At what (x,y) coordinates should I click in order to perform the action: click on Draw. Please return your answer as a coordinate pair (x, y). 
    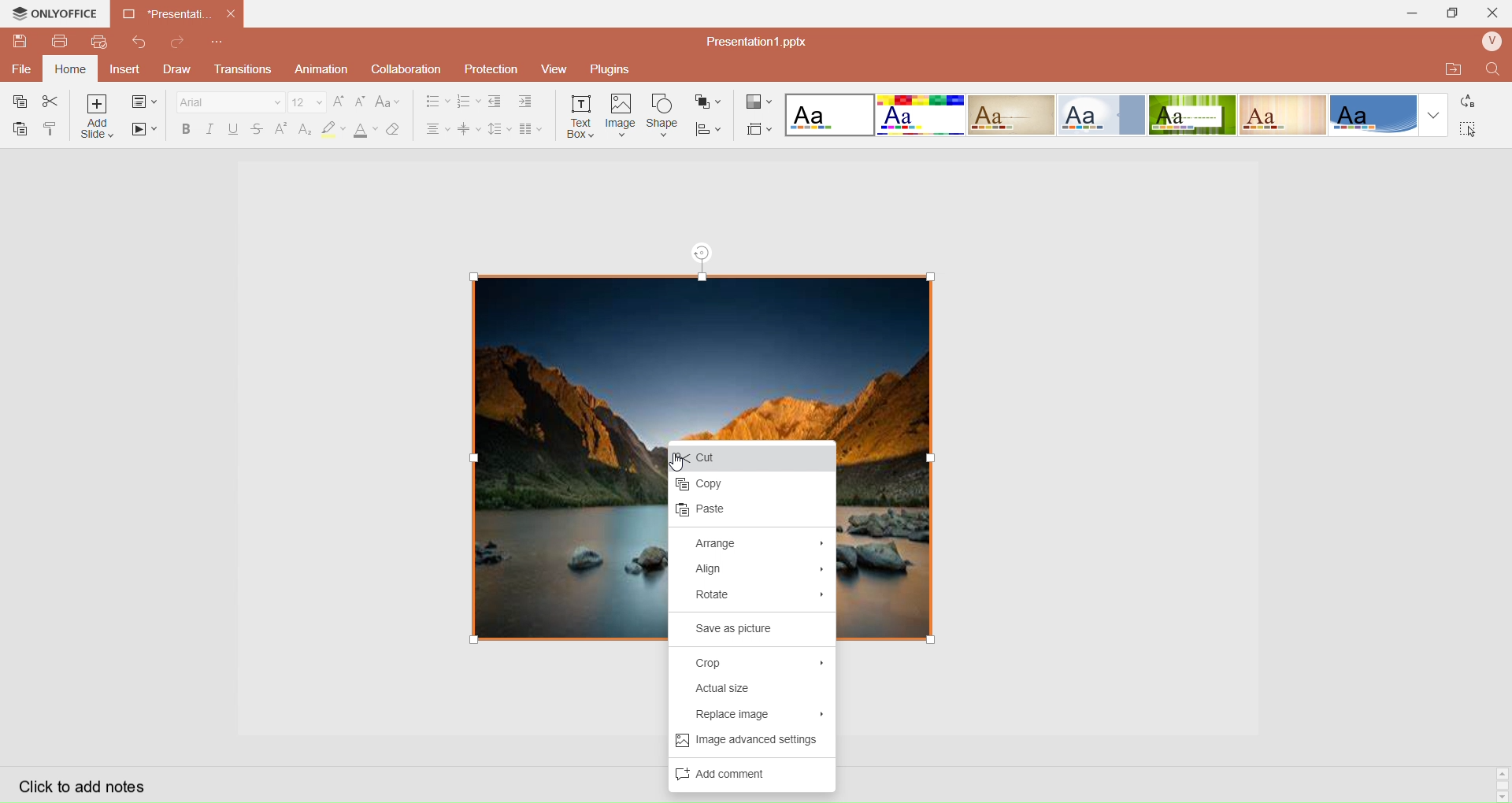
    Looking at the image, I should click on (177, 70).